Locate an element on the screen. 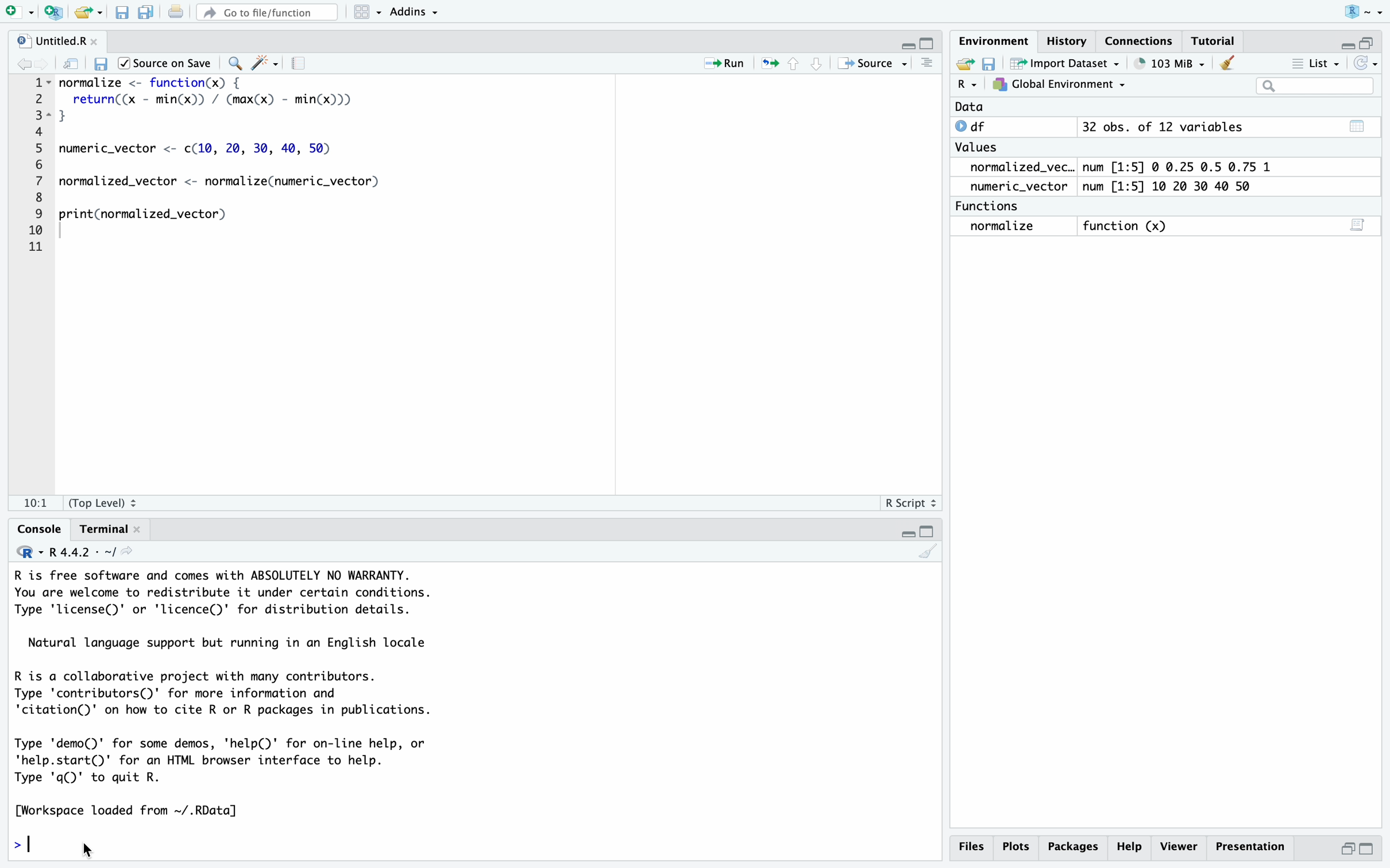 The image size is (1390, 868). Load workspace is located at coordinates (964, 64).